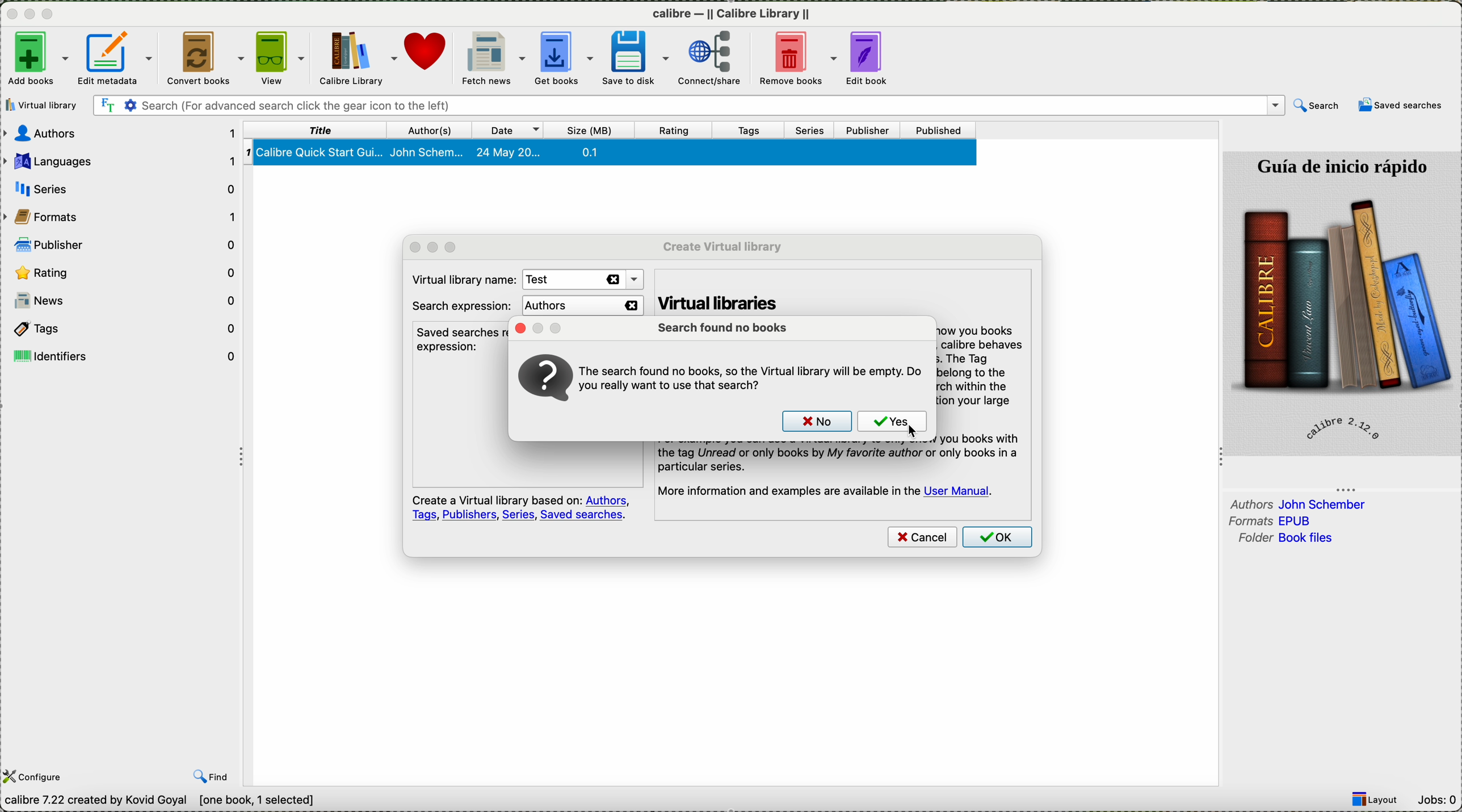  Describe the element at coordinates (213, 777) in the screenshot. I see `find` at that location.